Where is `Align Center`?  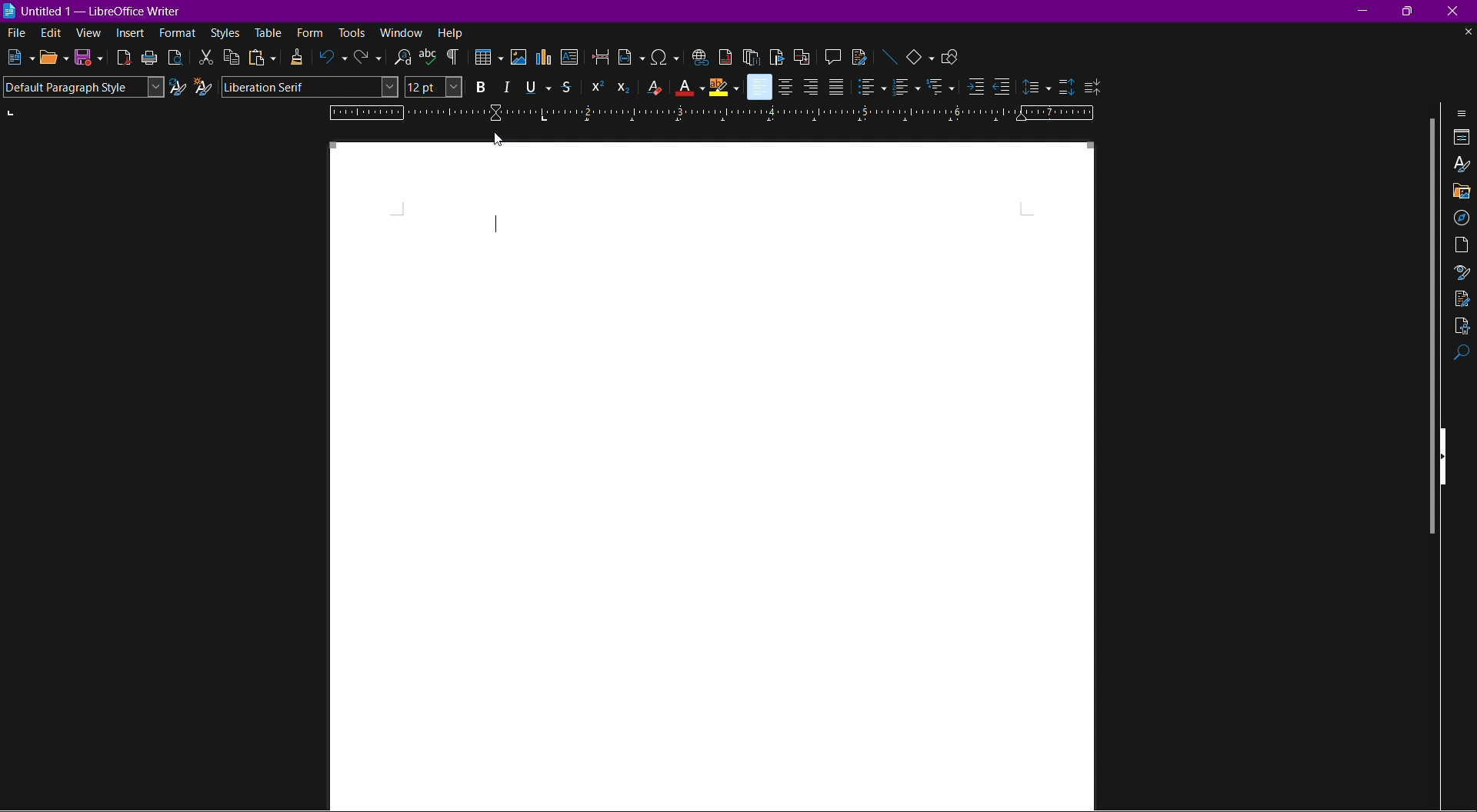 Align Center is located at coordinates (787, 86).